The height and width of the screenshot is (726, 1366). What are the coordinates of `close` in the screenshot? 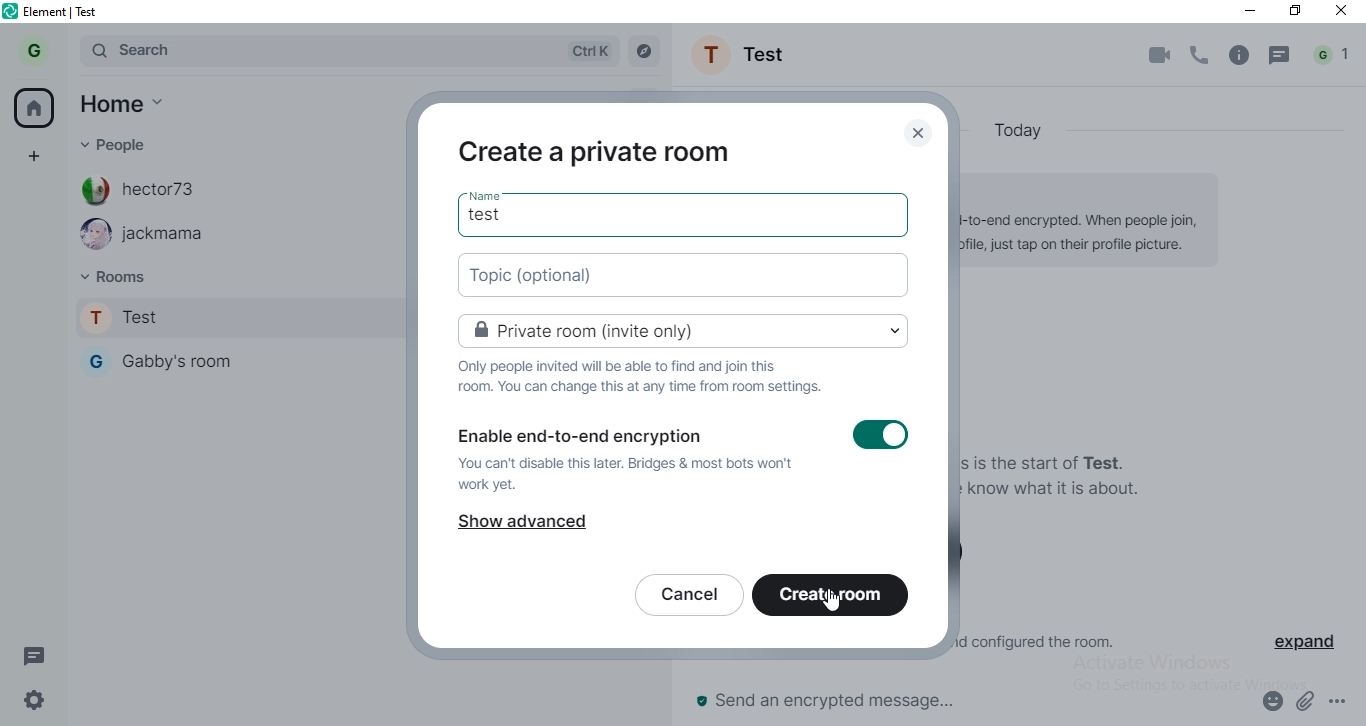 It's located at (915, 134).